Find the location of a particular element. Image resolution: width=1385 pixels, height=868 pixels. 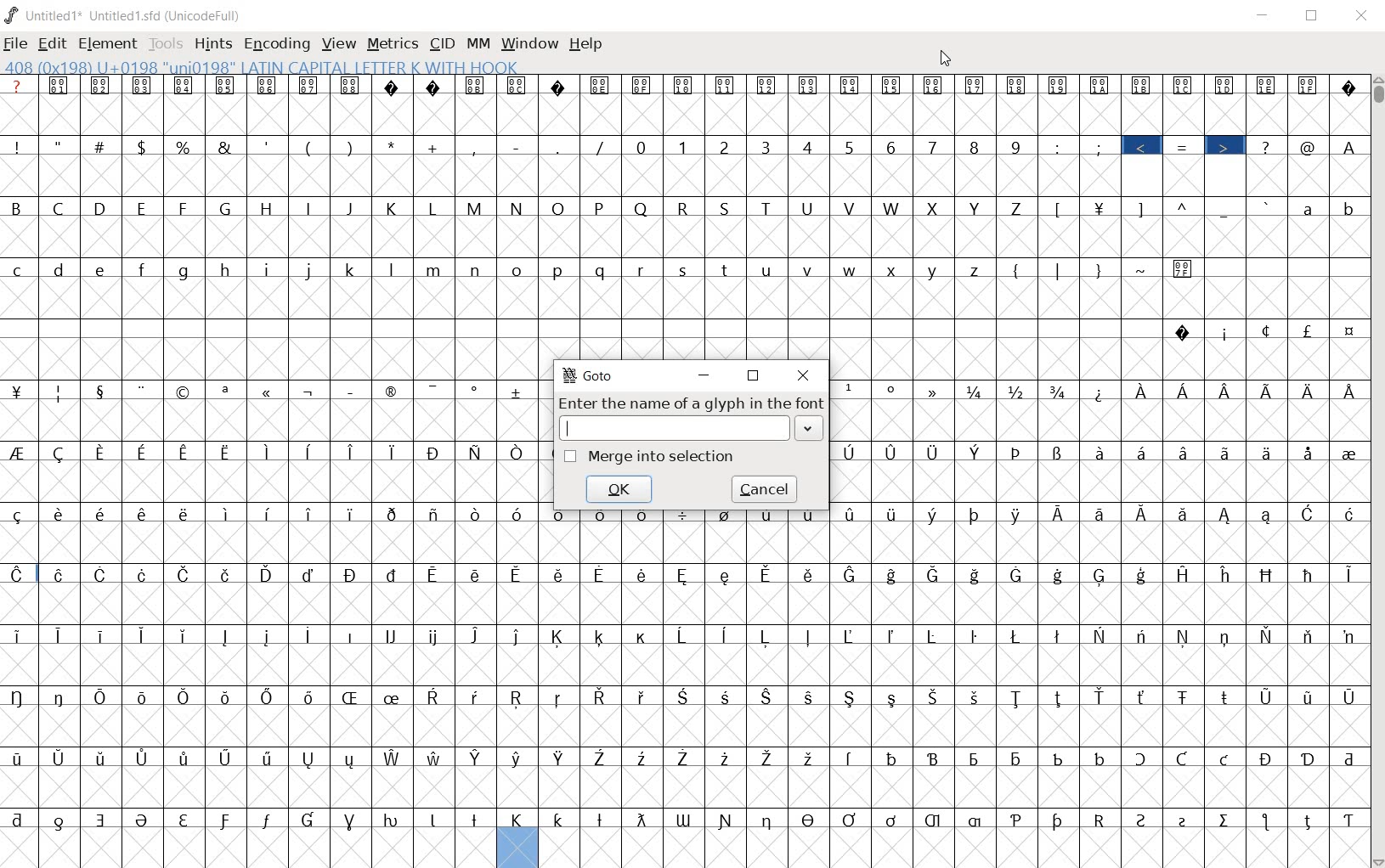

 is located at coordinates (1100, 449).